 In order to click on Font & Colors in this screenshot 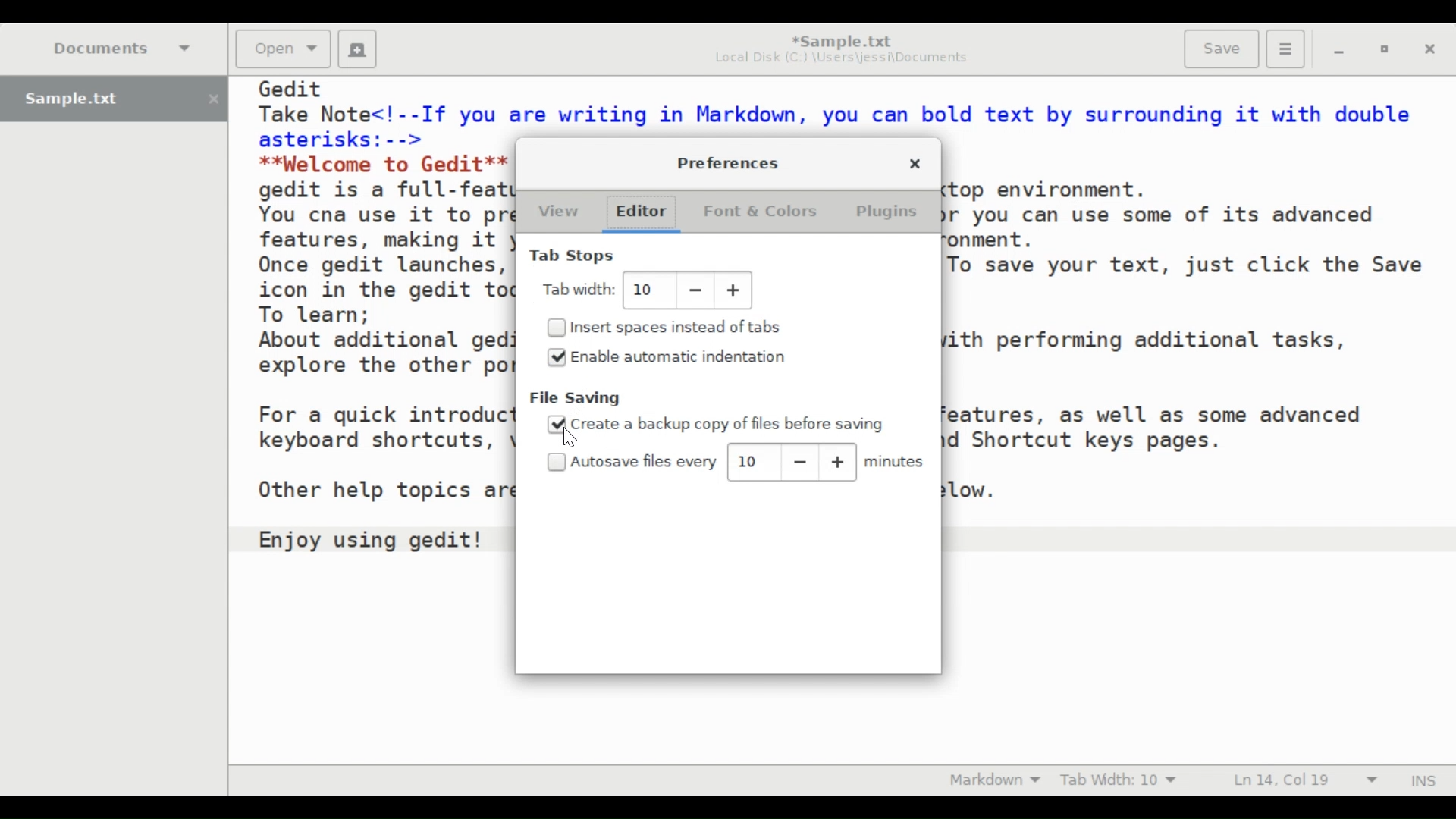, I will do `click(759, 213)`.